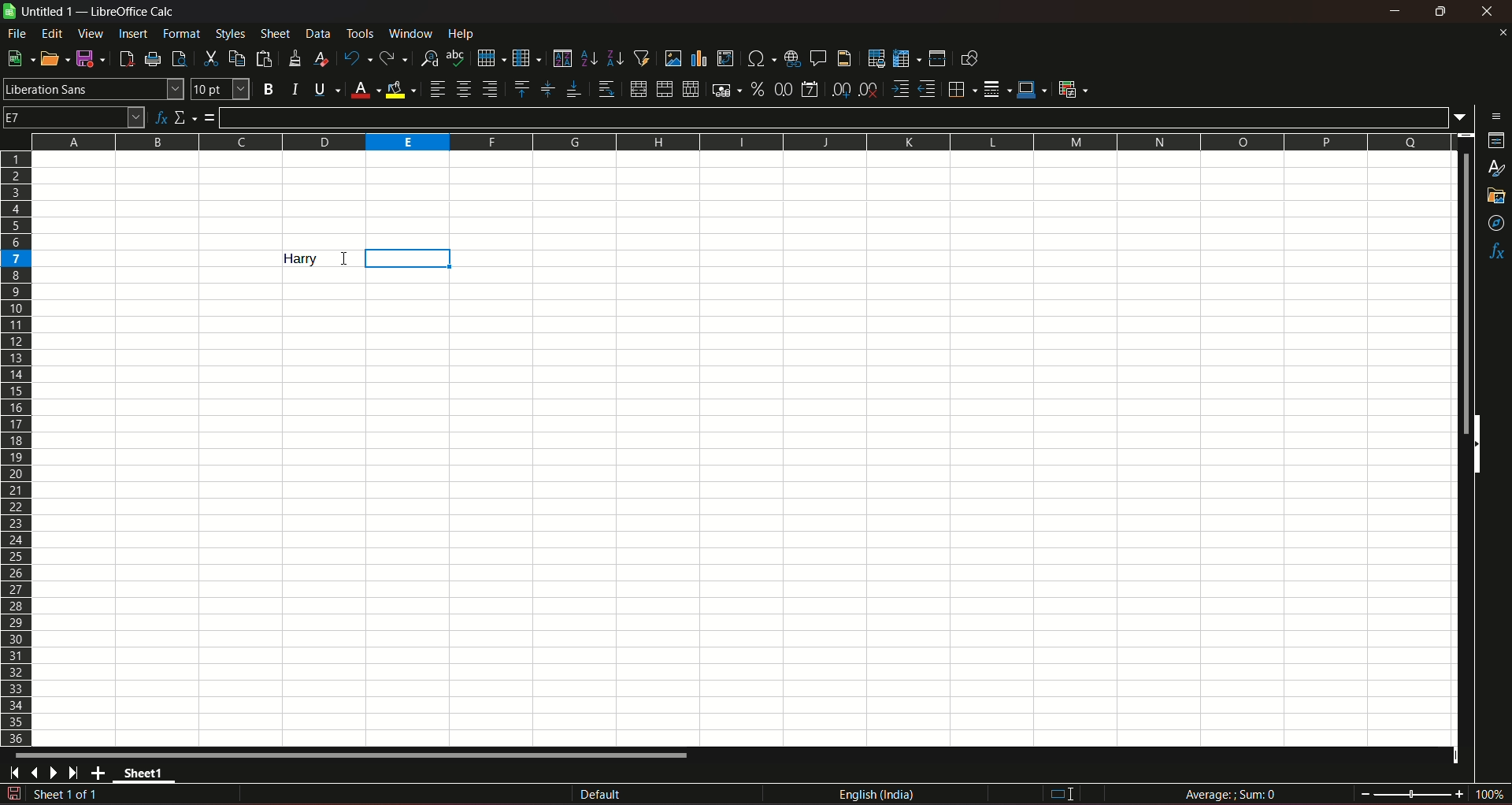 Image resolution: width=1512 pixels, height=805 pixels. I want to click on format as date, so click(810, 91).